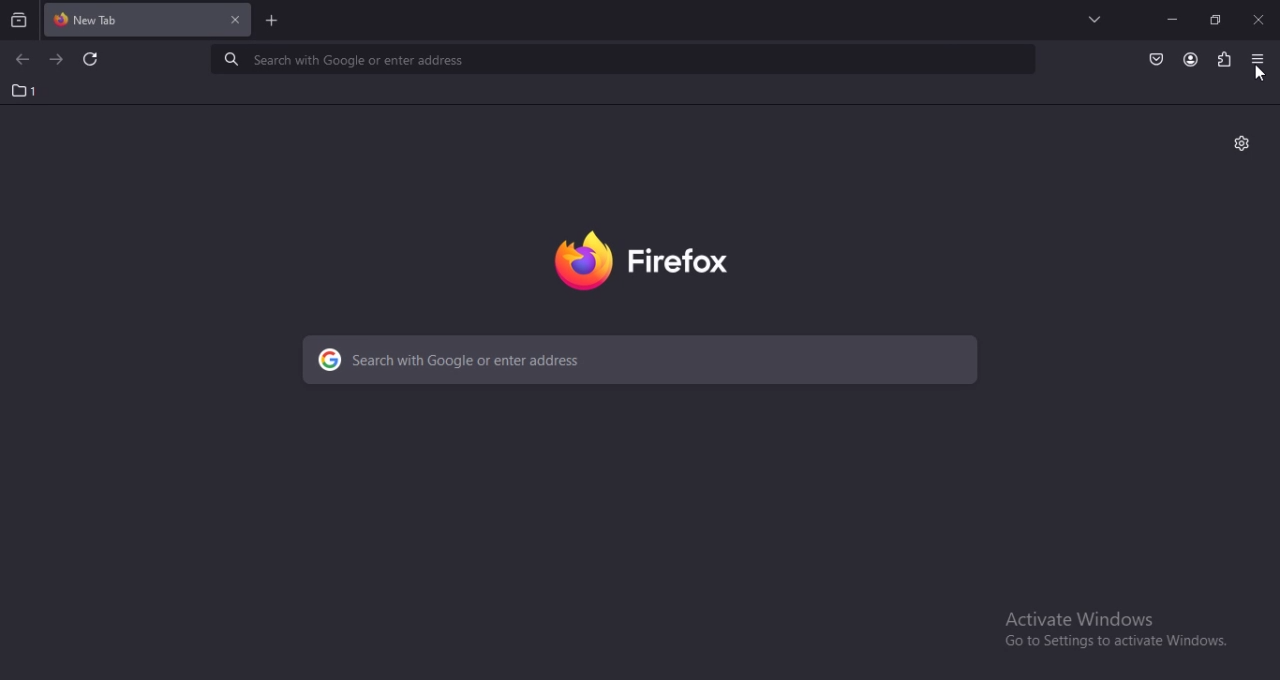  Describe the element at coordinates (271, 21) in the screenshot. I see `new tab` at that location.